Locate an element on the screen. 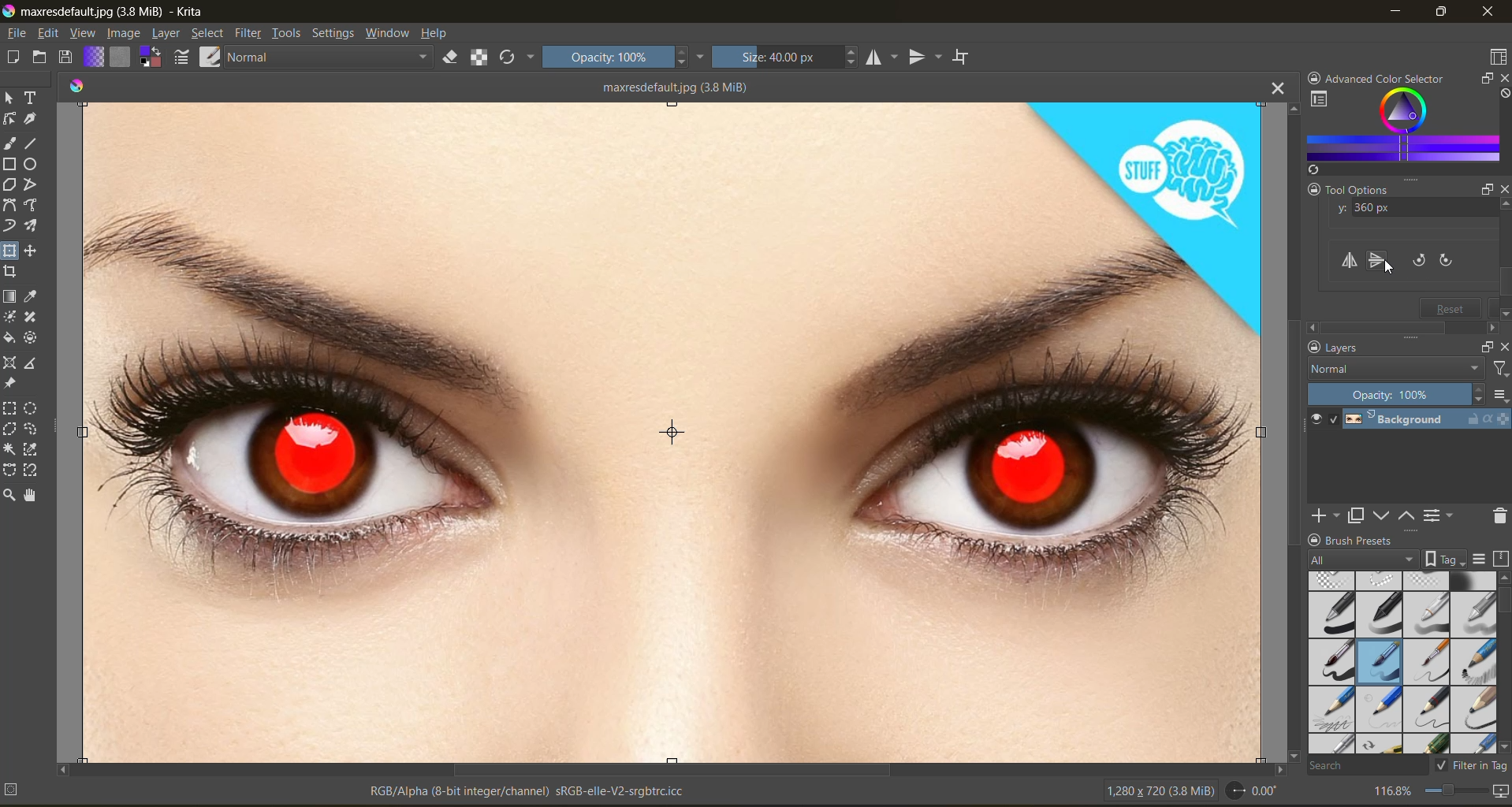  float docker is located at coordinates (1484, 192).